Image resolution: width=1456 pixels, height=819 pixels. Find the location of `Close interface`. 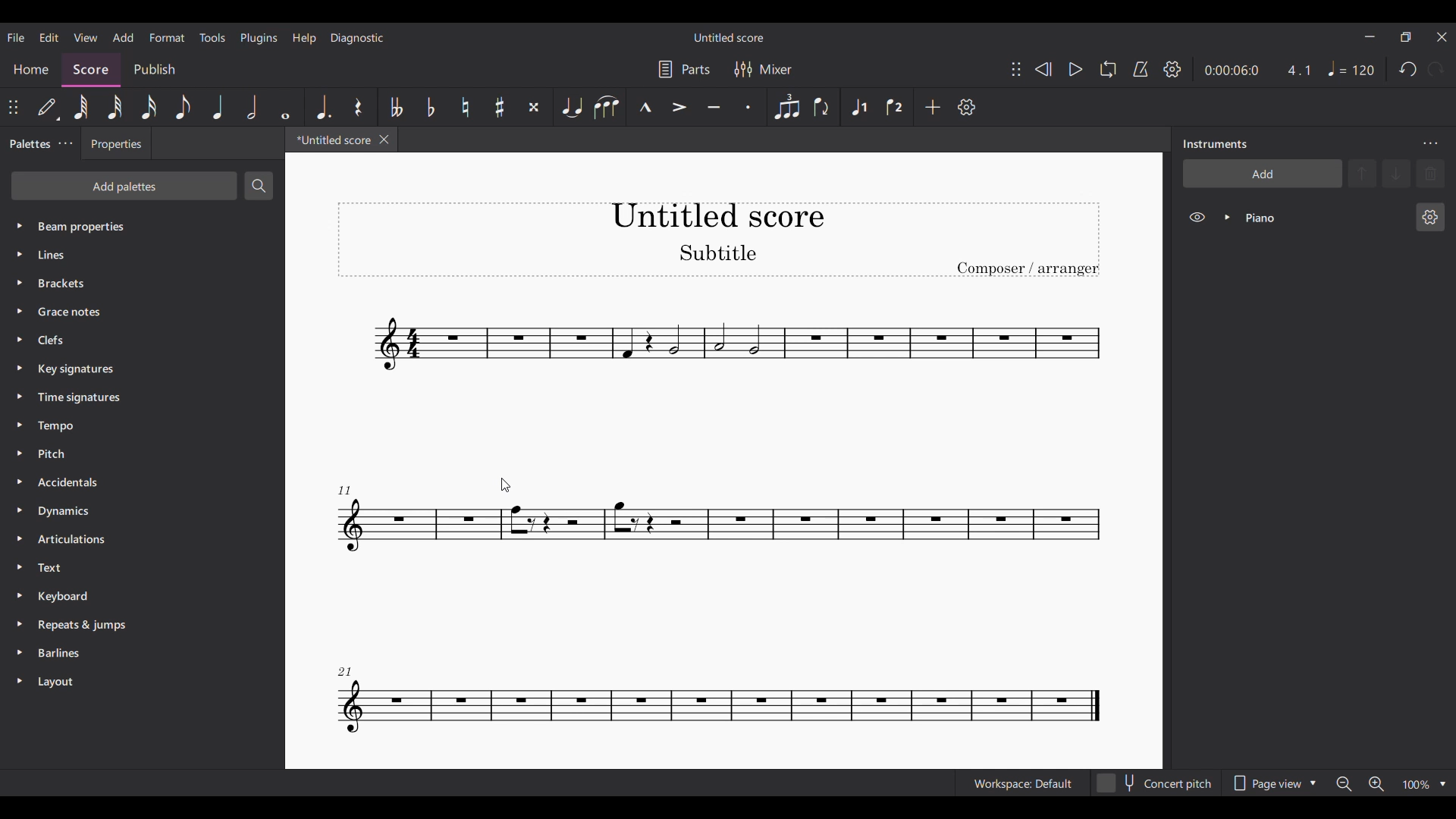

Close interface is located at coordinates (1442, 37).